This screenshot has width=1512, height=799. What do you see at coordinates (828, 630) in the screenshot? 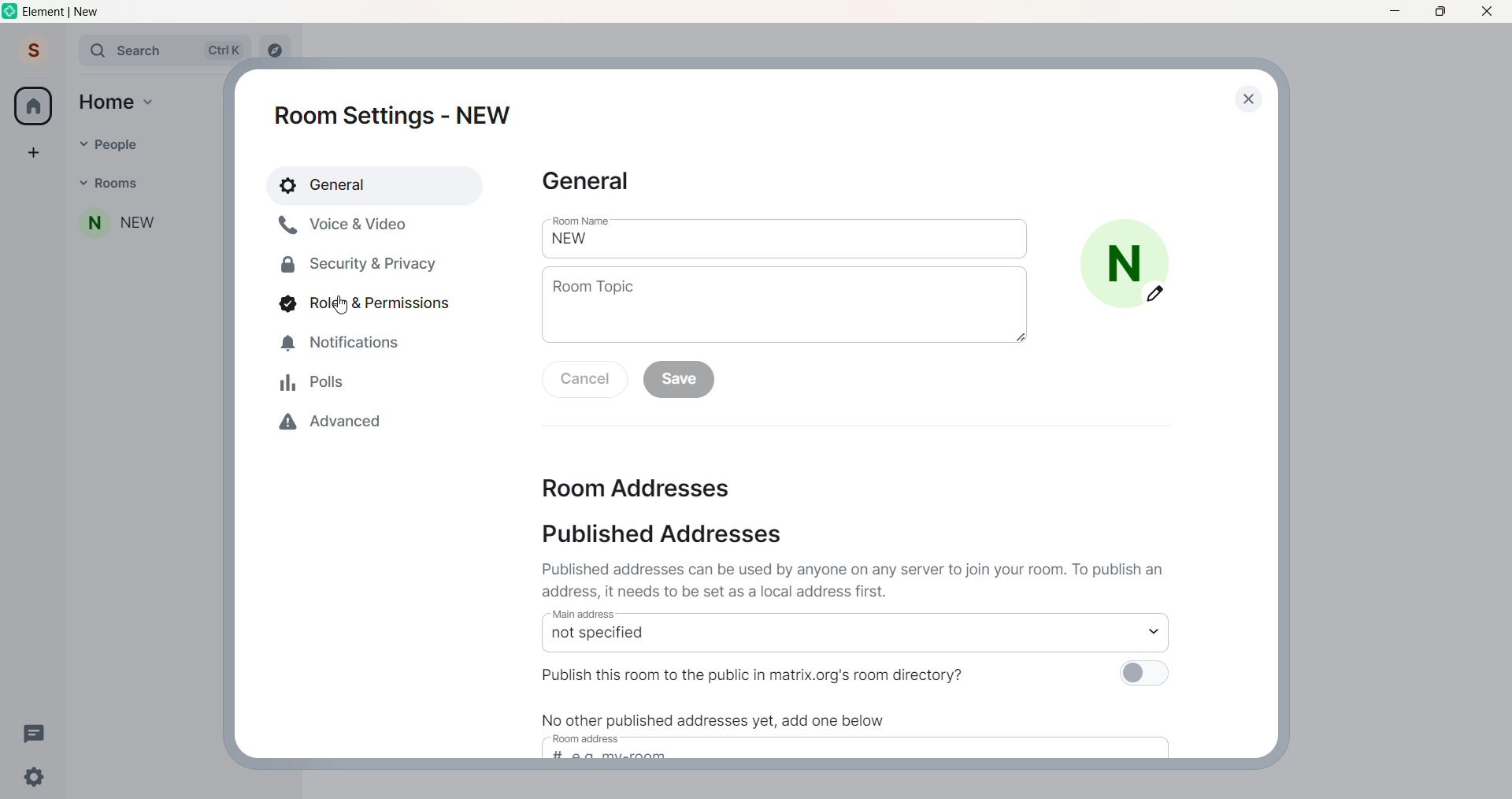
I see `main address` at bounding box center [828, 630].